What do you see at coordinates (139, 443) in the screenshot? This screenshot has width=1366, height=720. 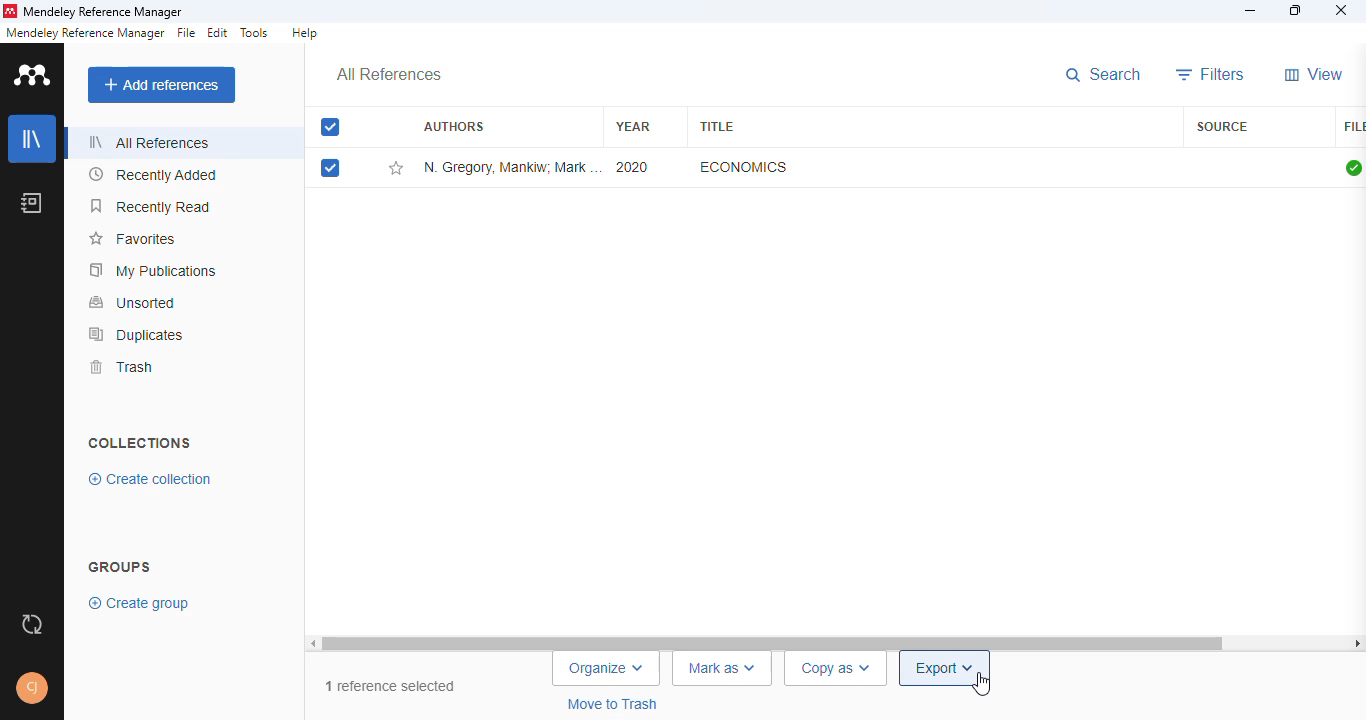 I see `collections` at bounding box center [139, 443].